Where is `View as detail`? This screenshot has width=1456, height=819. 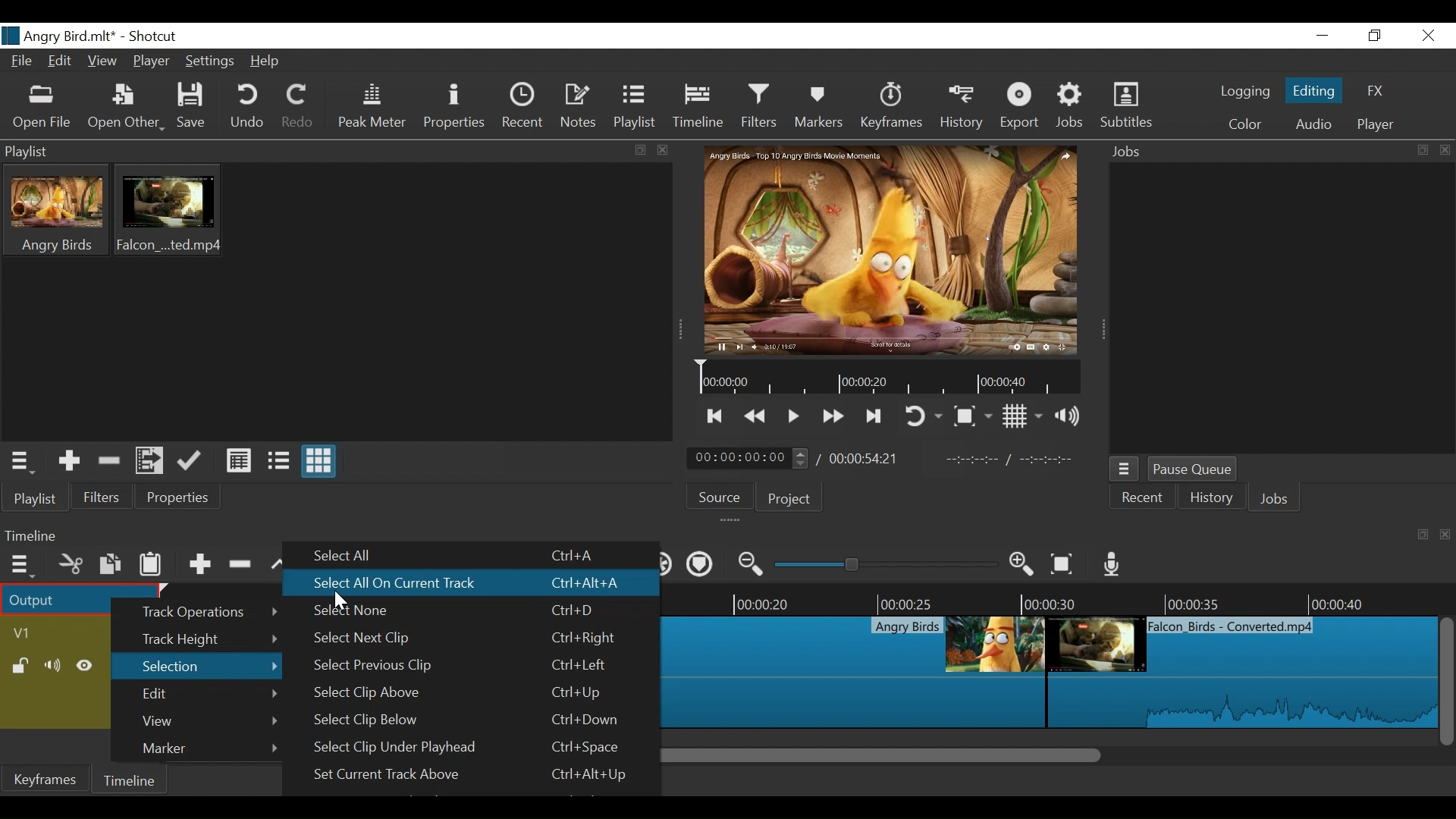
View as detail is located at coordinates (240, 460).